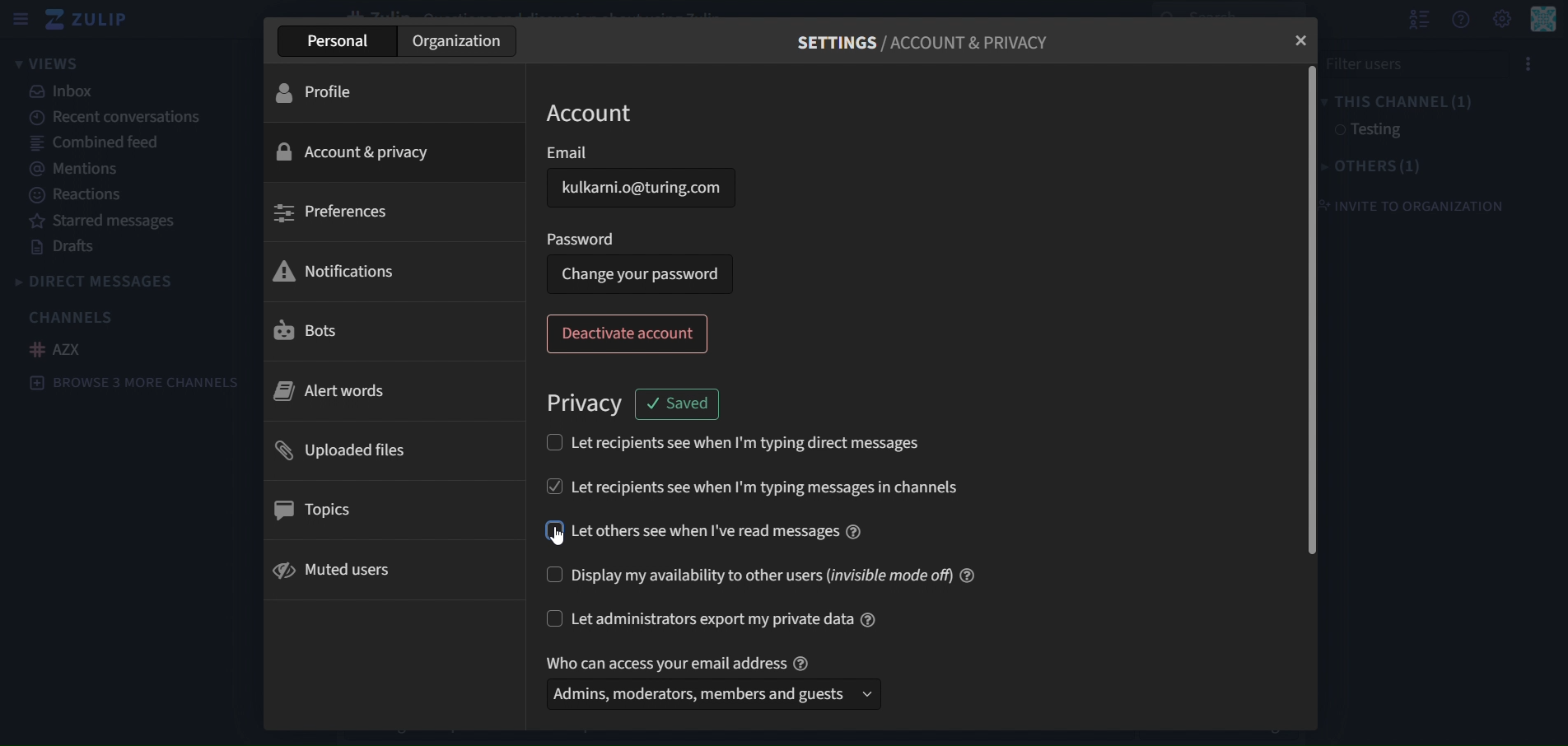 The width and height of the screenshot is (1568, 746). Describe the element at coordinates (1461, 21) in the screenshot. I see `get help` at that location.